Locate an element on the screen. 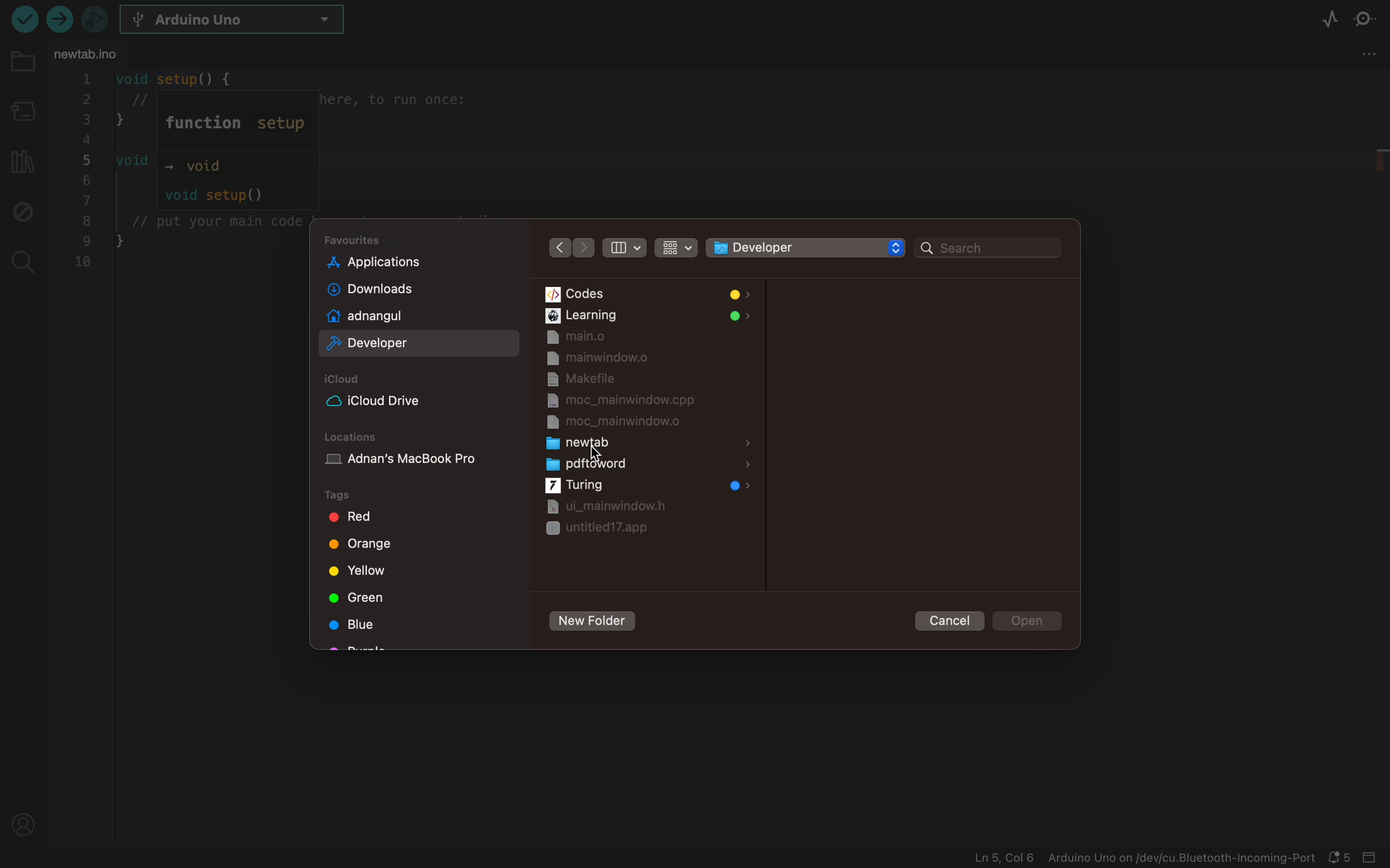 The width and height of the screenshot is (1390, 868). board selecter is located at coordinates (21, 113).